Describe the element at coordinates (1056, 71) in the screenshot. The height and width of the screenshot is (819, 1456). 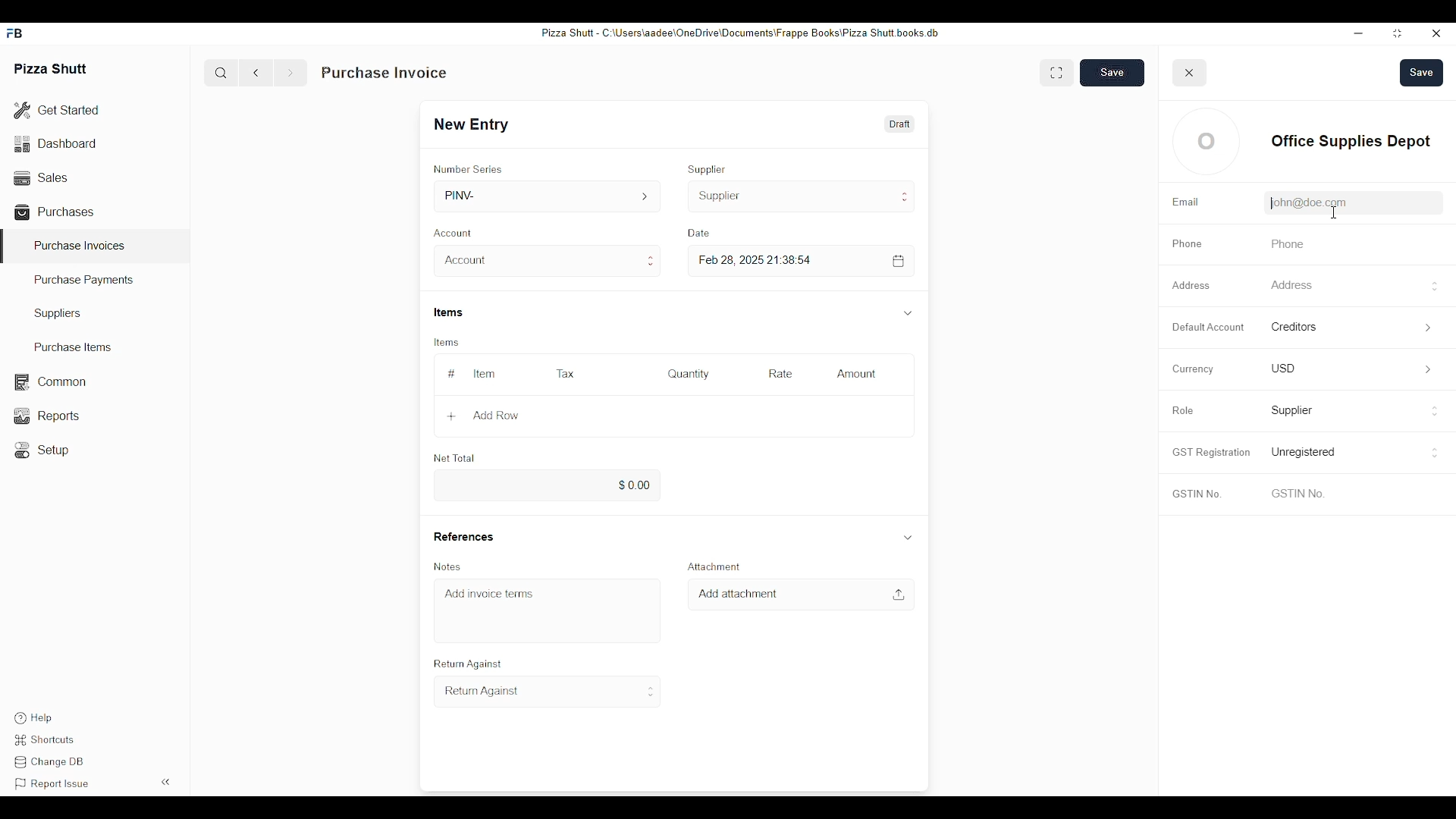
I see `enlarge` at that location.